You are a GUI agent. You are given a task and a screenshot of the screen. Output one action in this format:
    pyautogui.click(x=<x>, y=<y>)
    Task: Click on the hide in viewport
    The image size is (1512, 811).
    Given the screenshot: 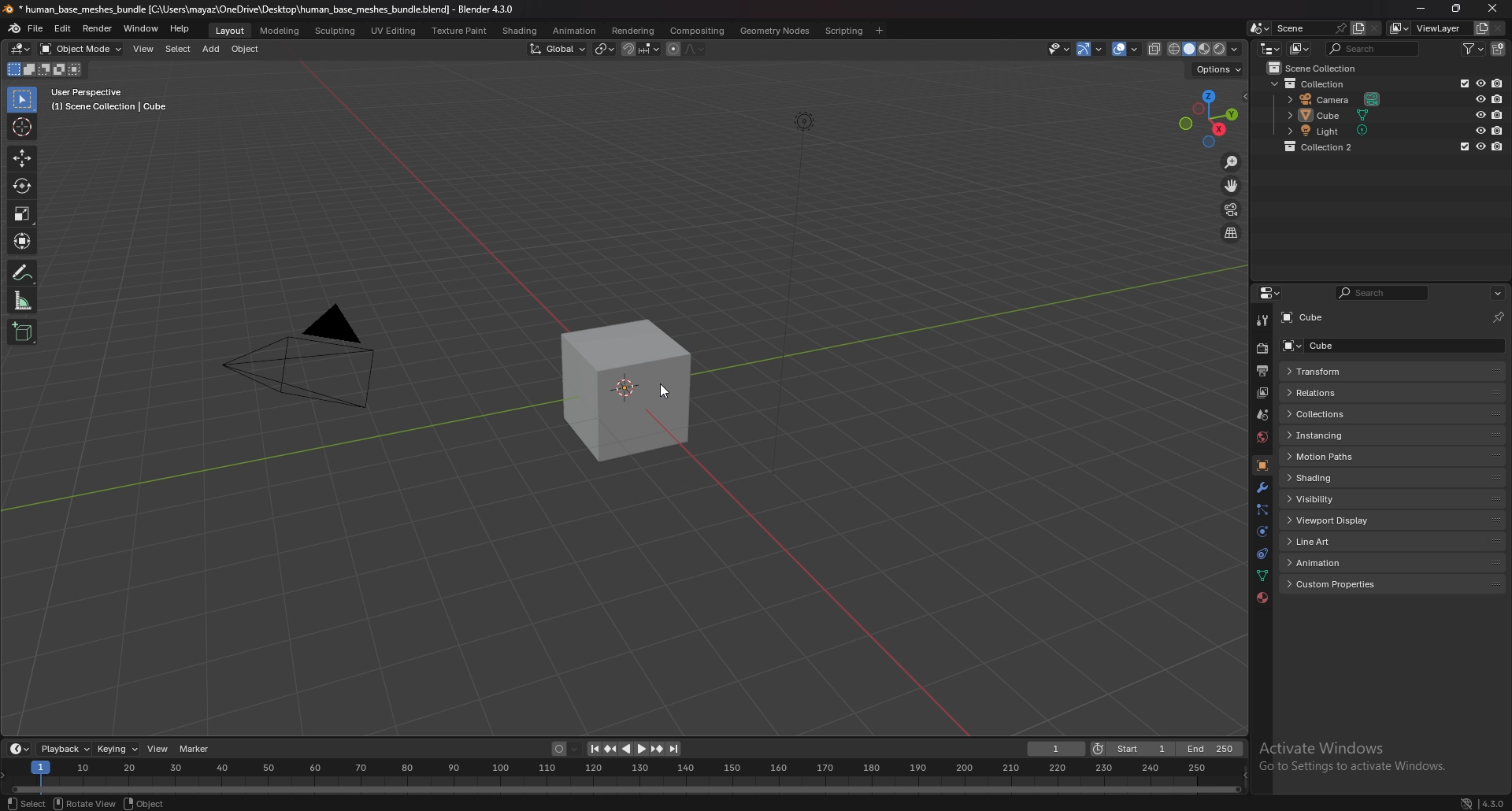 What is the action you would take?
    pyautogui.click(x=1480, y=146)
    